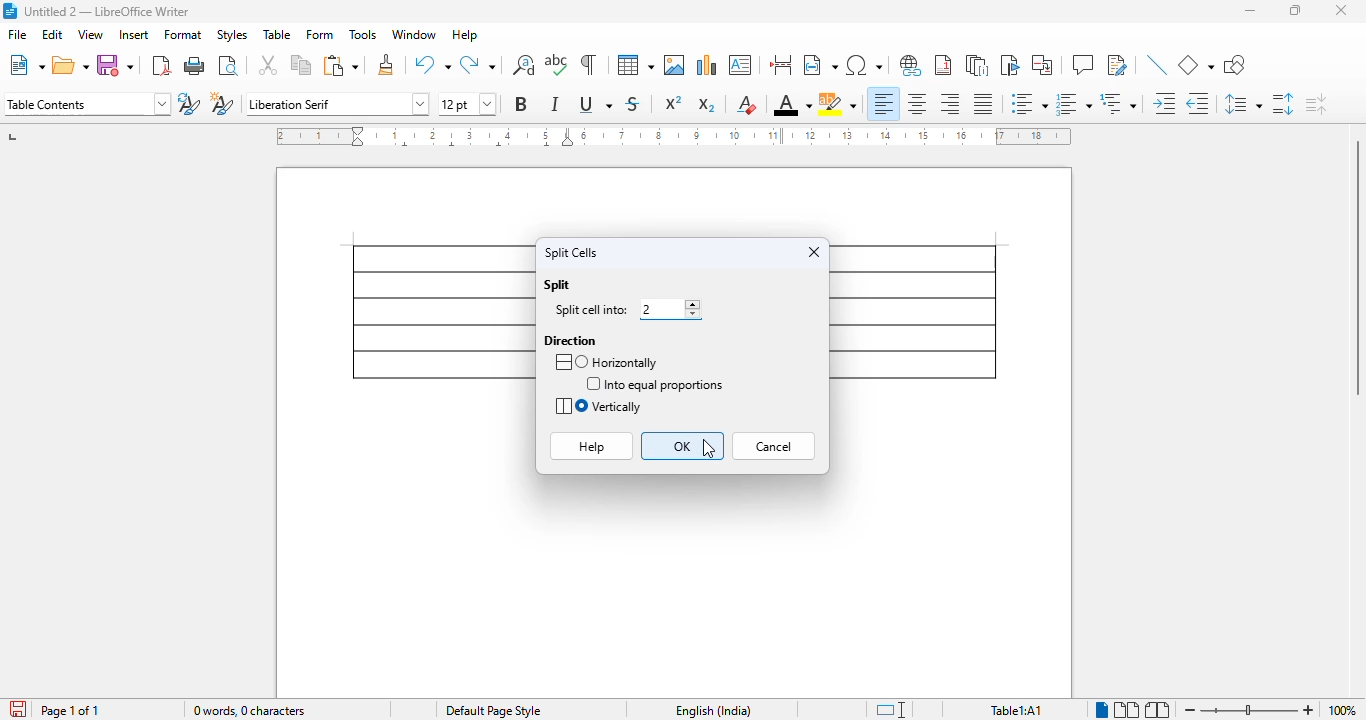 The height and width of the screenshot is (720, 1366). What do you see at coordinates (71, 66) in the screenshot?
I see `open` at bounding box center [71, 66].